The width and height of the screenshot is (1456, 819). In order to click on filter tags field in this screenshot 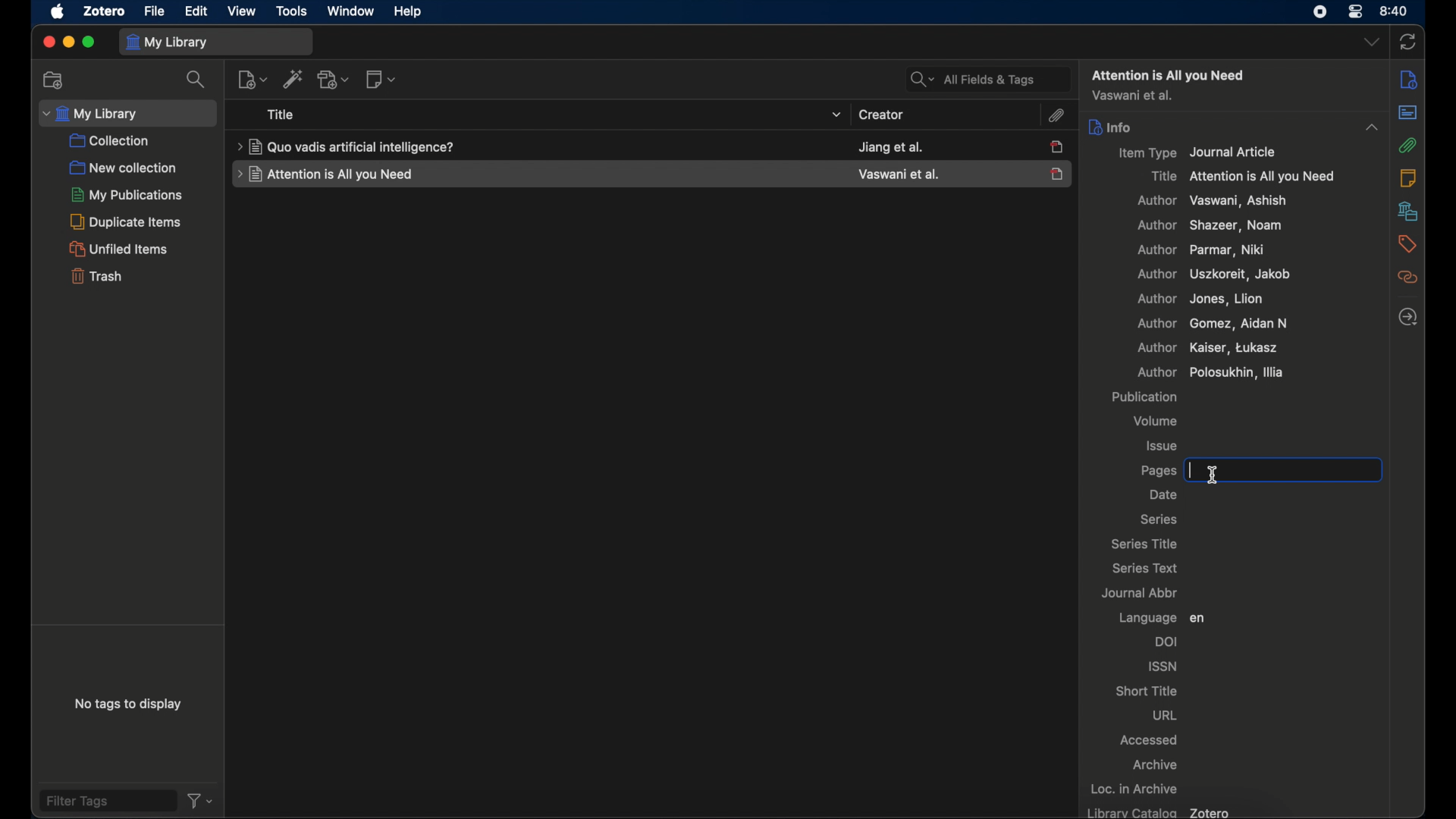, I will do `click(107, 801)`.